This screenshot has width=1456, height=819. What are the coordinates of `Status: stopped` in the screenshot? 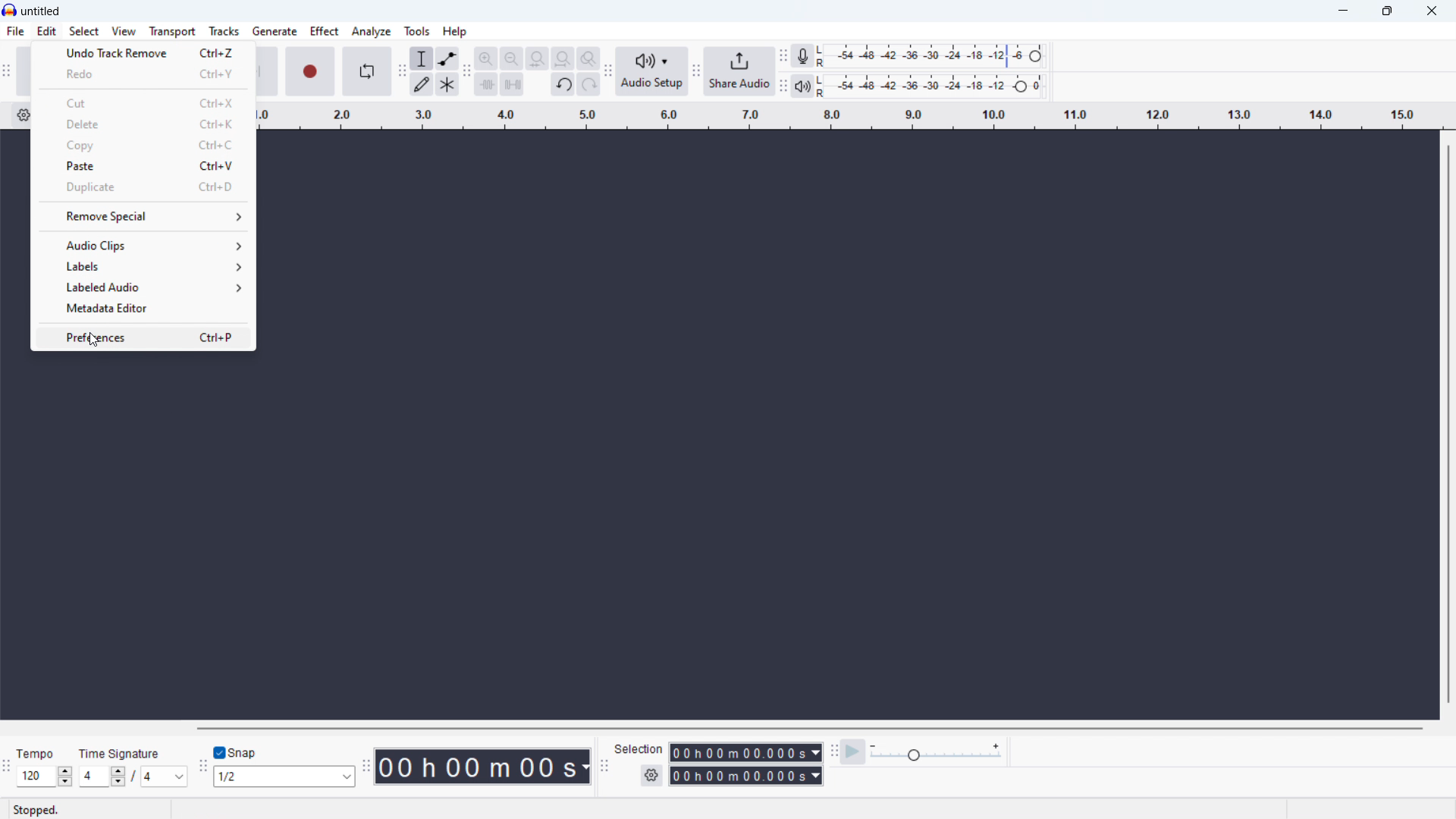 It's located at (38, 809).